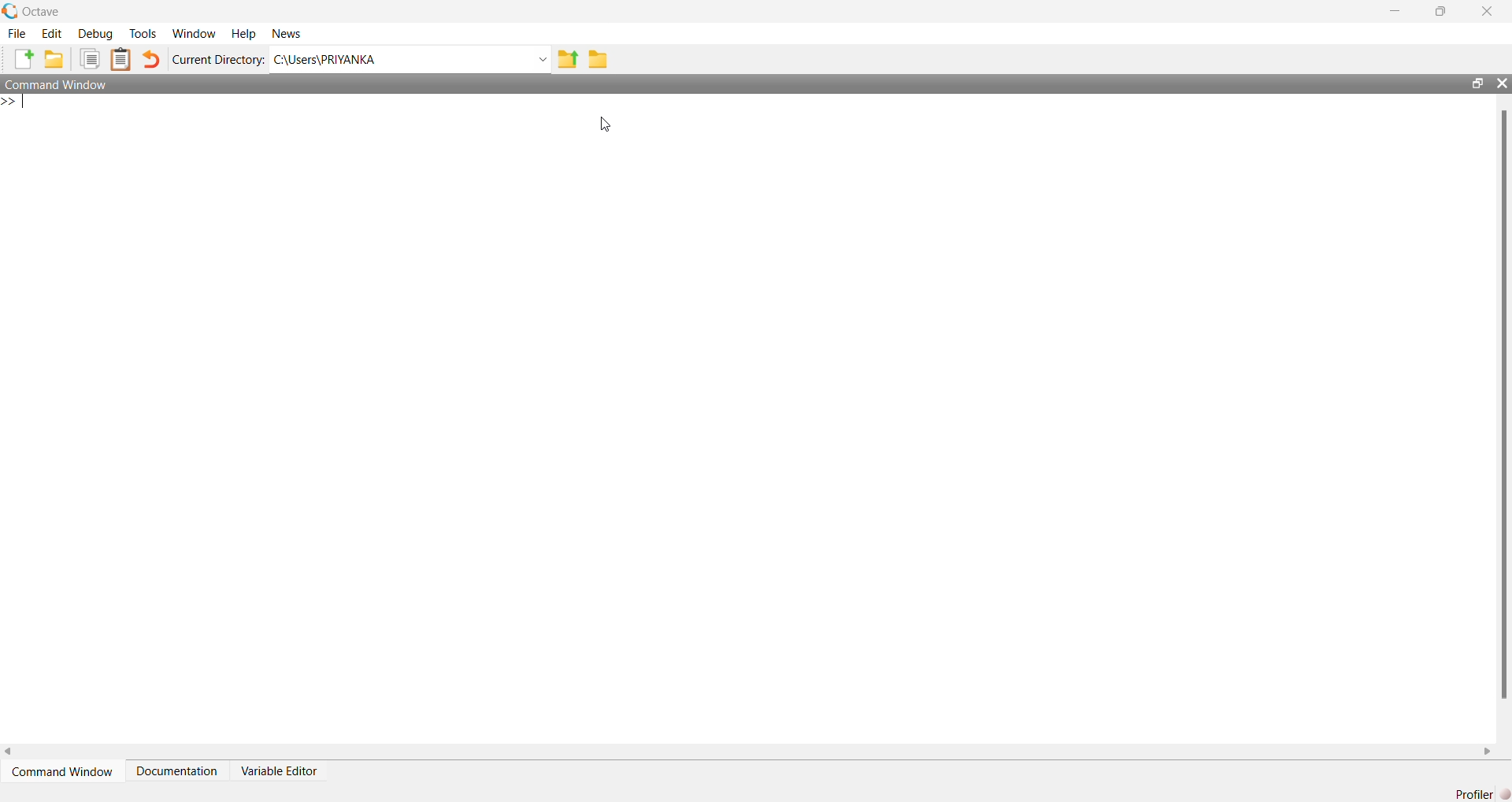 This screenshot has height=802, width=1512. Describe the element at coordinates (120, 59) in the screenshot. I see `document clipboard` at that location.